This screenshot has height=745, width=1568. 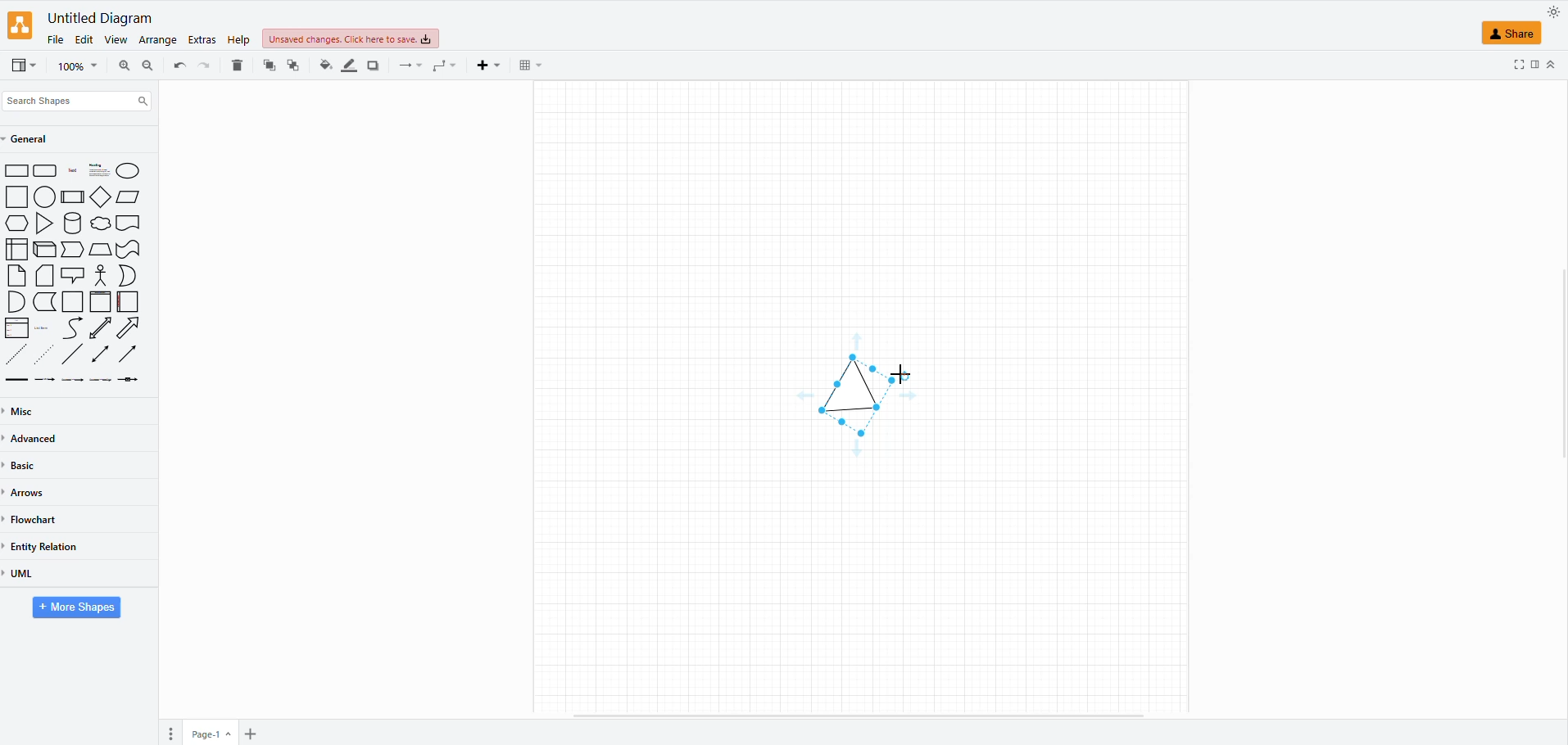 I want to click on miscellaneous, so click(x=27, y=409).